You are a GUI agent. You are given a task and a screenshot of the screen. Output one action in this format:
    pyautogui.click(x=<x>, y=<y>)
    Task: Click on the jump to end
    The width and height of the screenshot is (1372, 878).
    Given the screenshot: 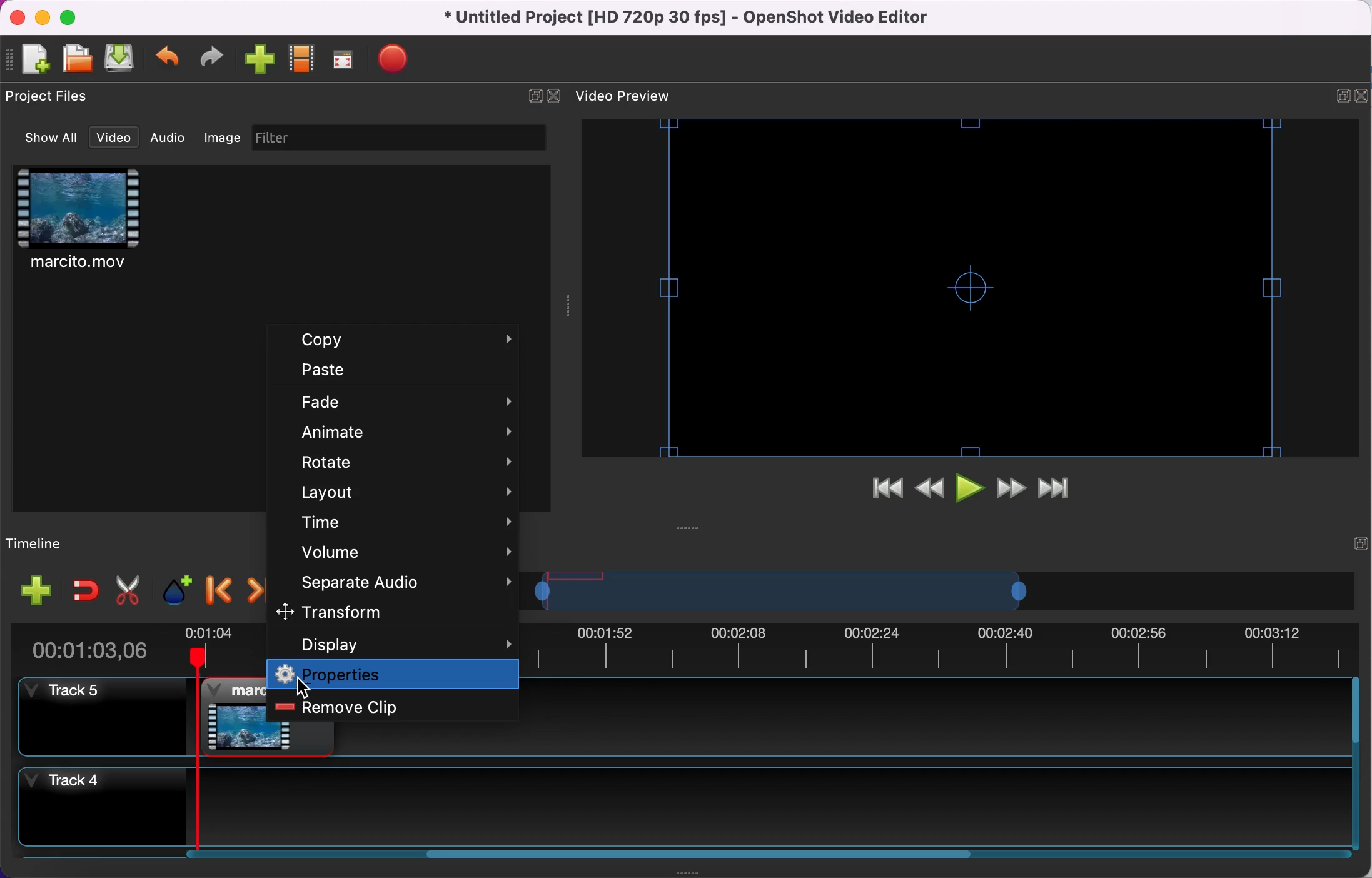 What is the action you would take?
    pyautogui.click(x=1053, y=488)
    